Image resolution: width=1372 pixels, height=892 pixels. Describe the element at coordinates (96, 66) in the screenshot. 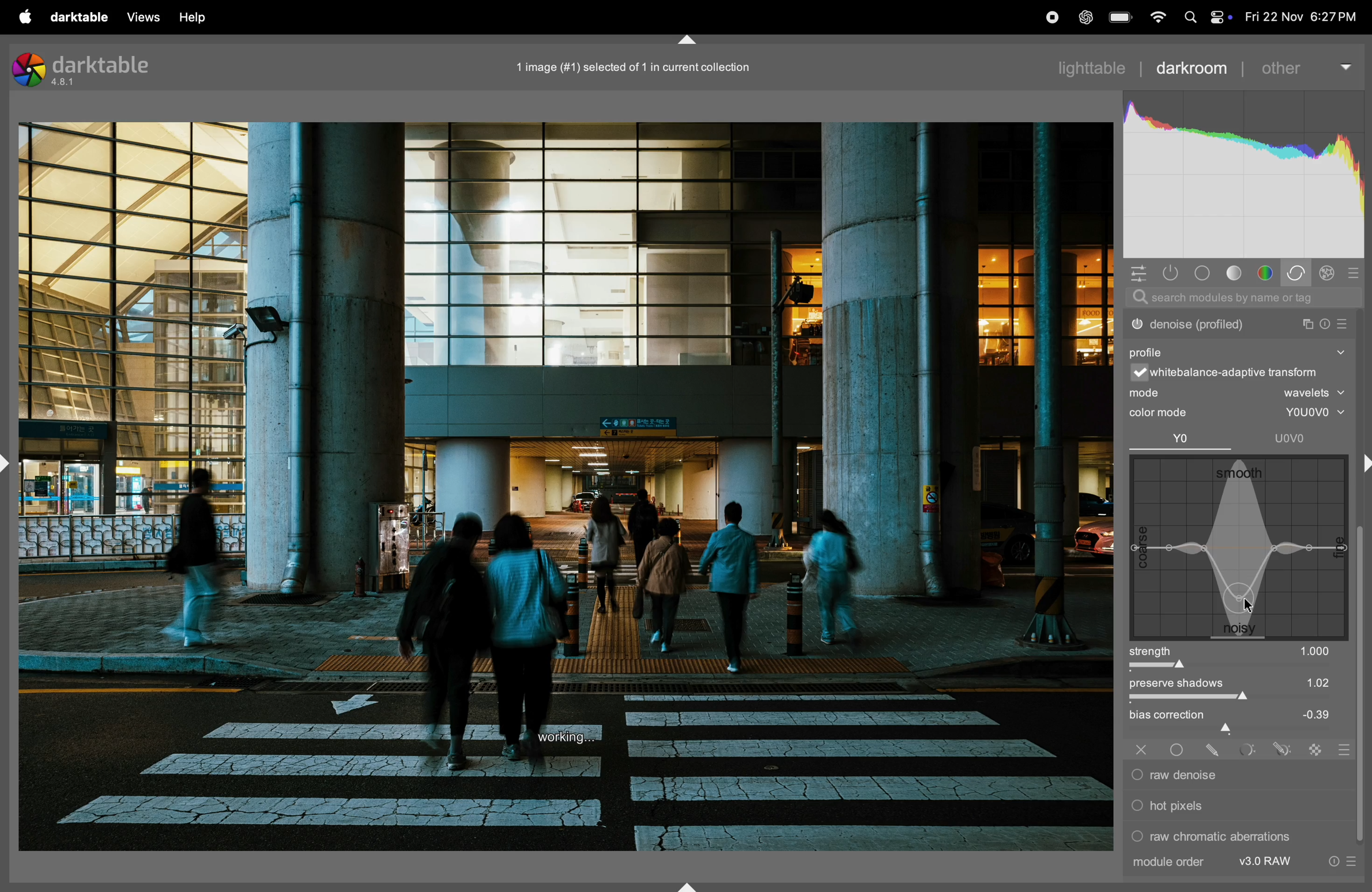

I see `darktable version` at that location.